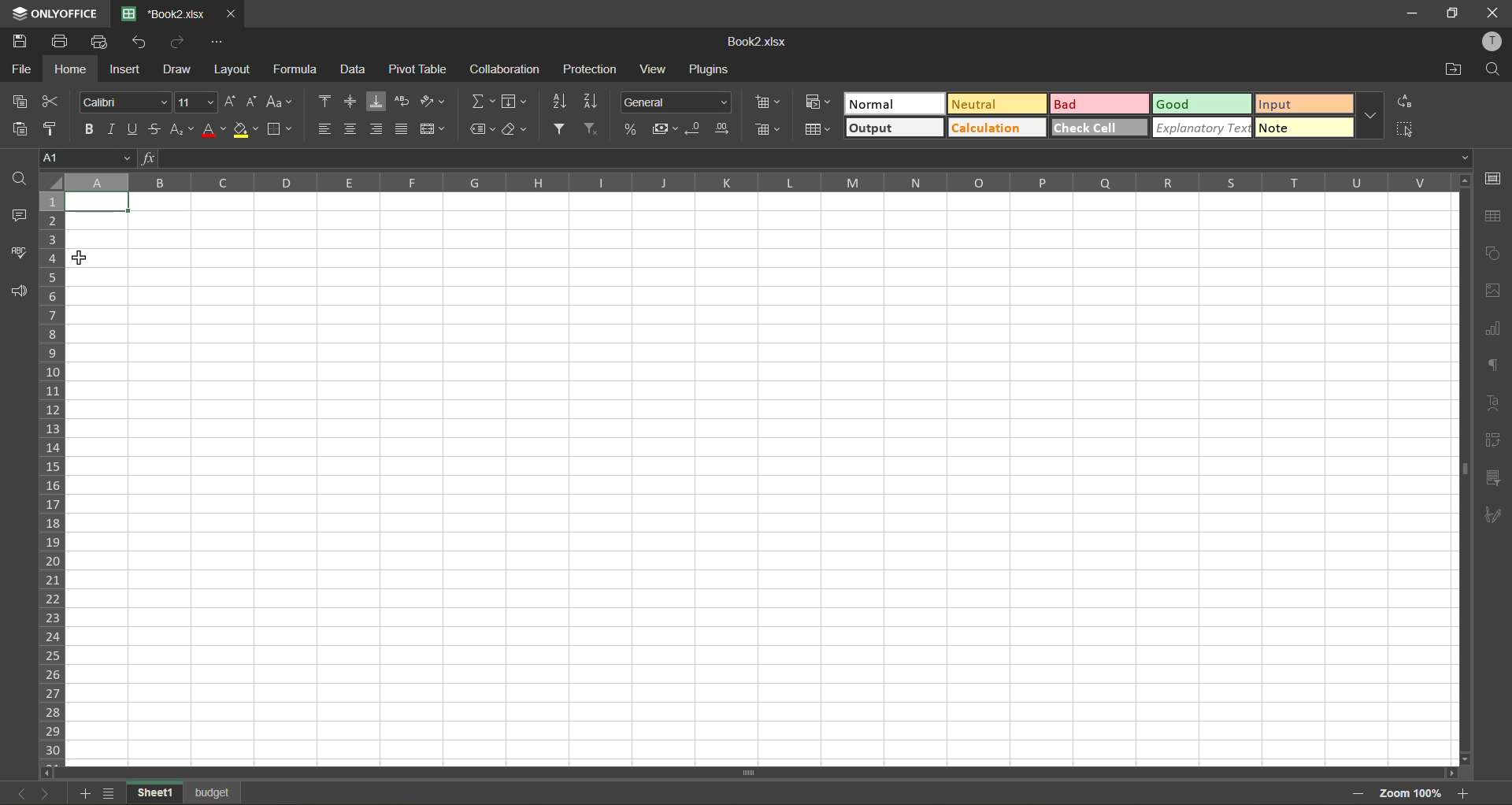 This screenshot has height=805, width=1512. What do you see at coordinates (19, 69) in the screenshot?
I see `file` at bounding box center [19, 69].